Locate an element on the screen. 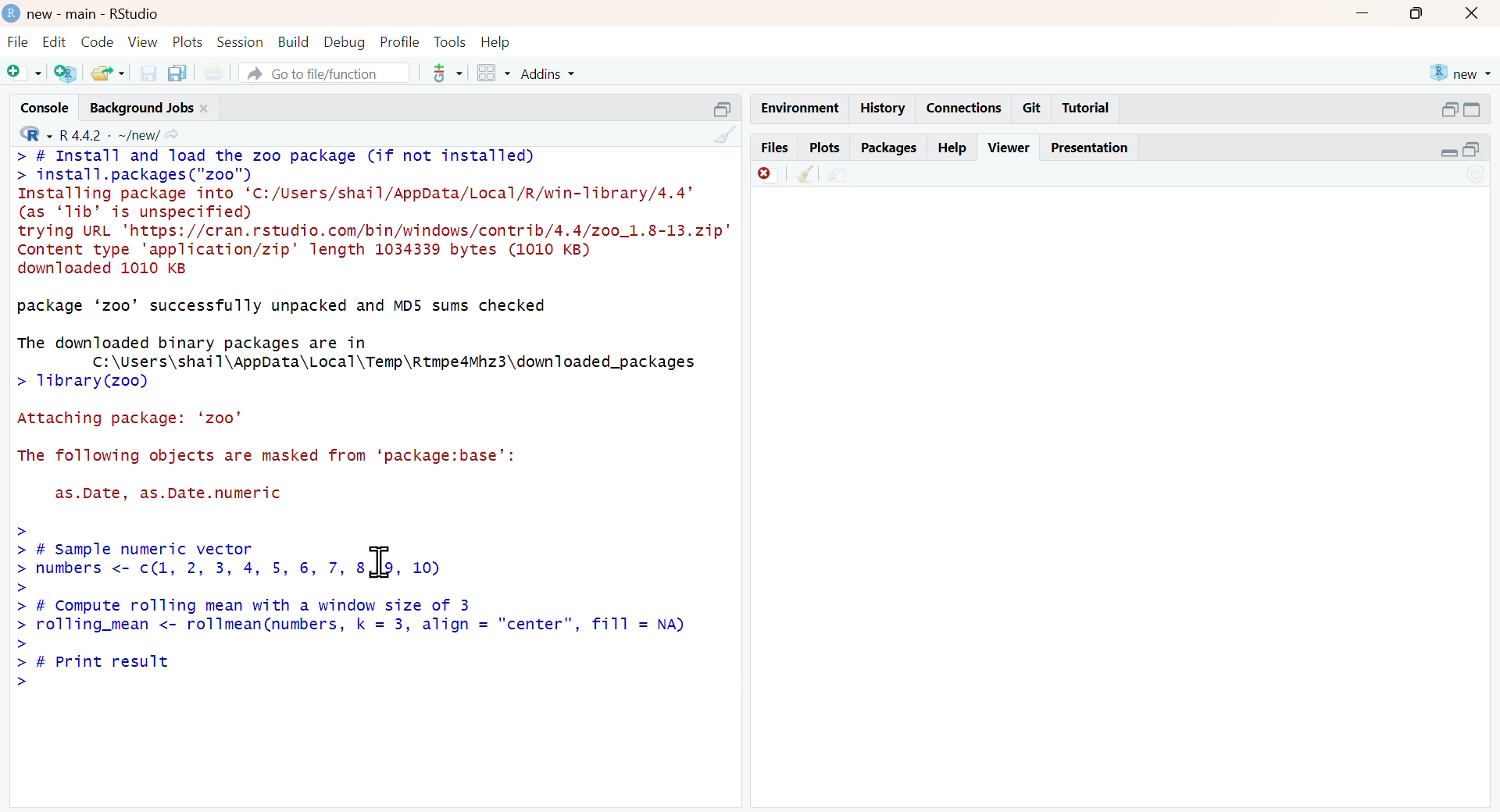 This screenshot has height=812, width=1500. help is located at coordinates (954, 148).